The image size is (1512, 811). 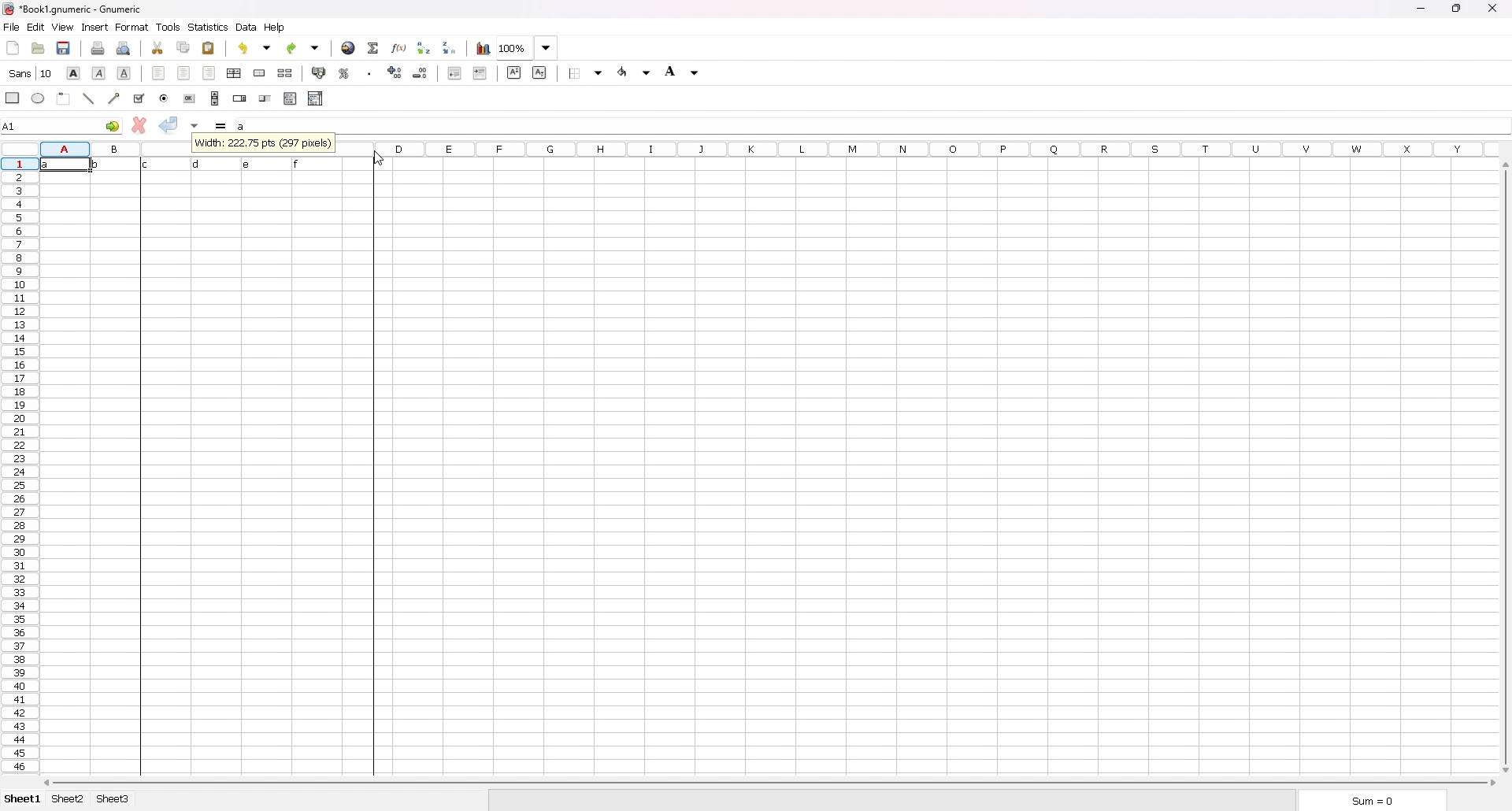 I want to click on combo box, so click(x=316, y=98).